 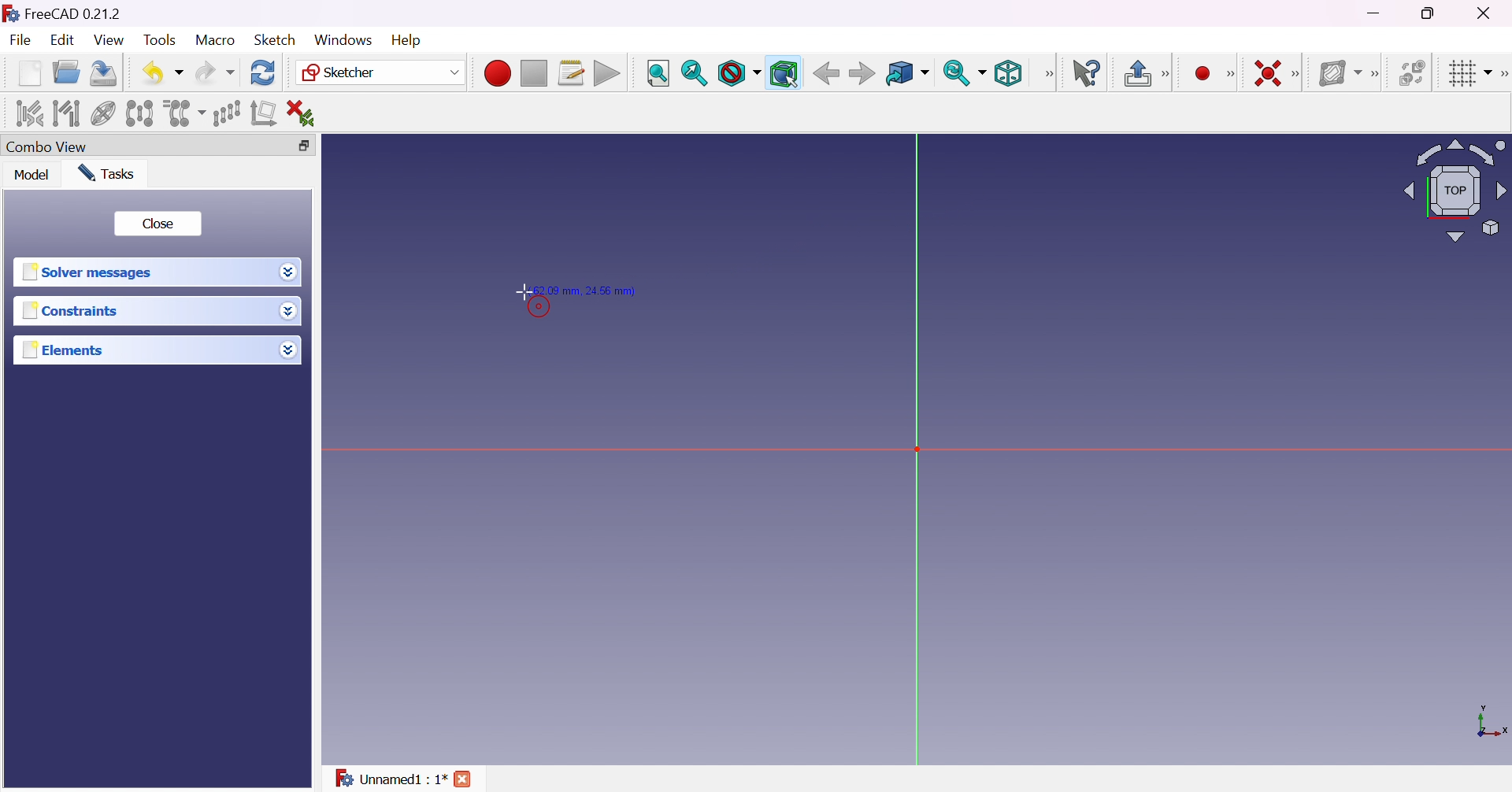 What do you see at coordinates (572, 73) in the screenshot?
I see `Macros` at bounding box center [572, 73].